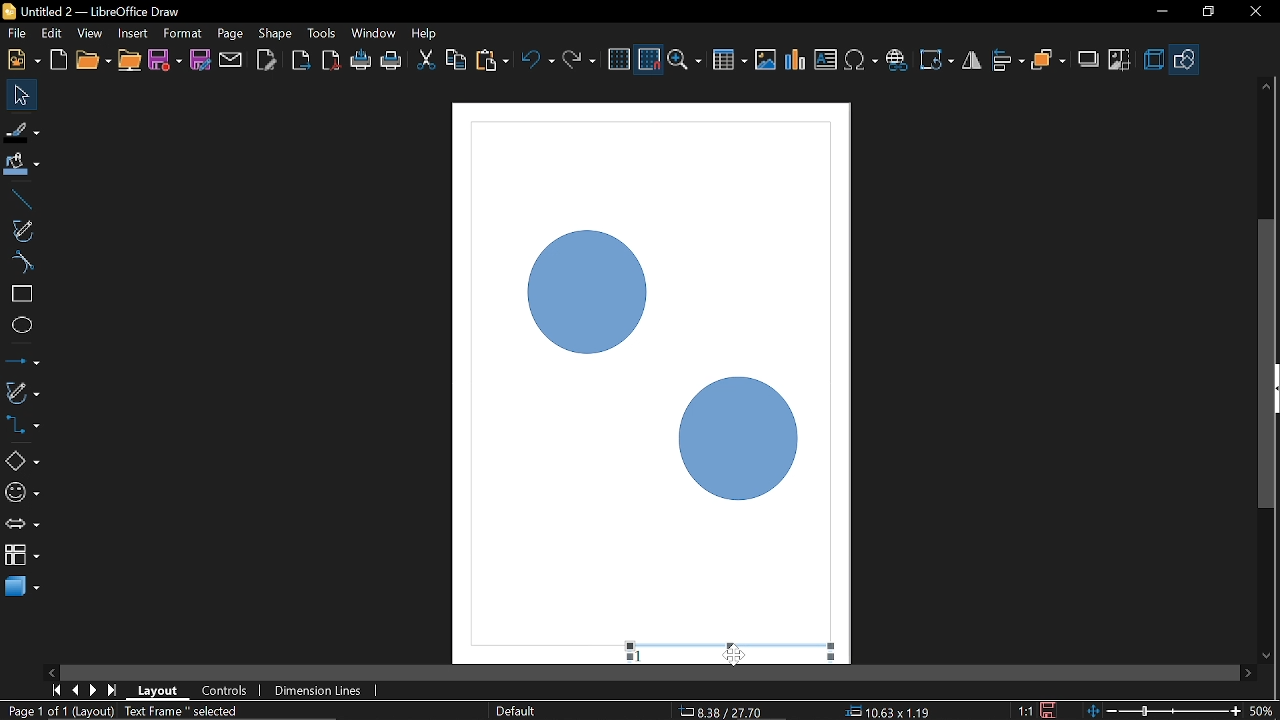 The image size is (1280, 720). Describe the element at coordinates (268, 59) in the screenshot. I see `Toggle edit mode` at that location.